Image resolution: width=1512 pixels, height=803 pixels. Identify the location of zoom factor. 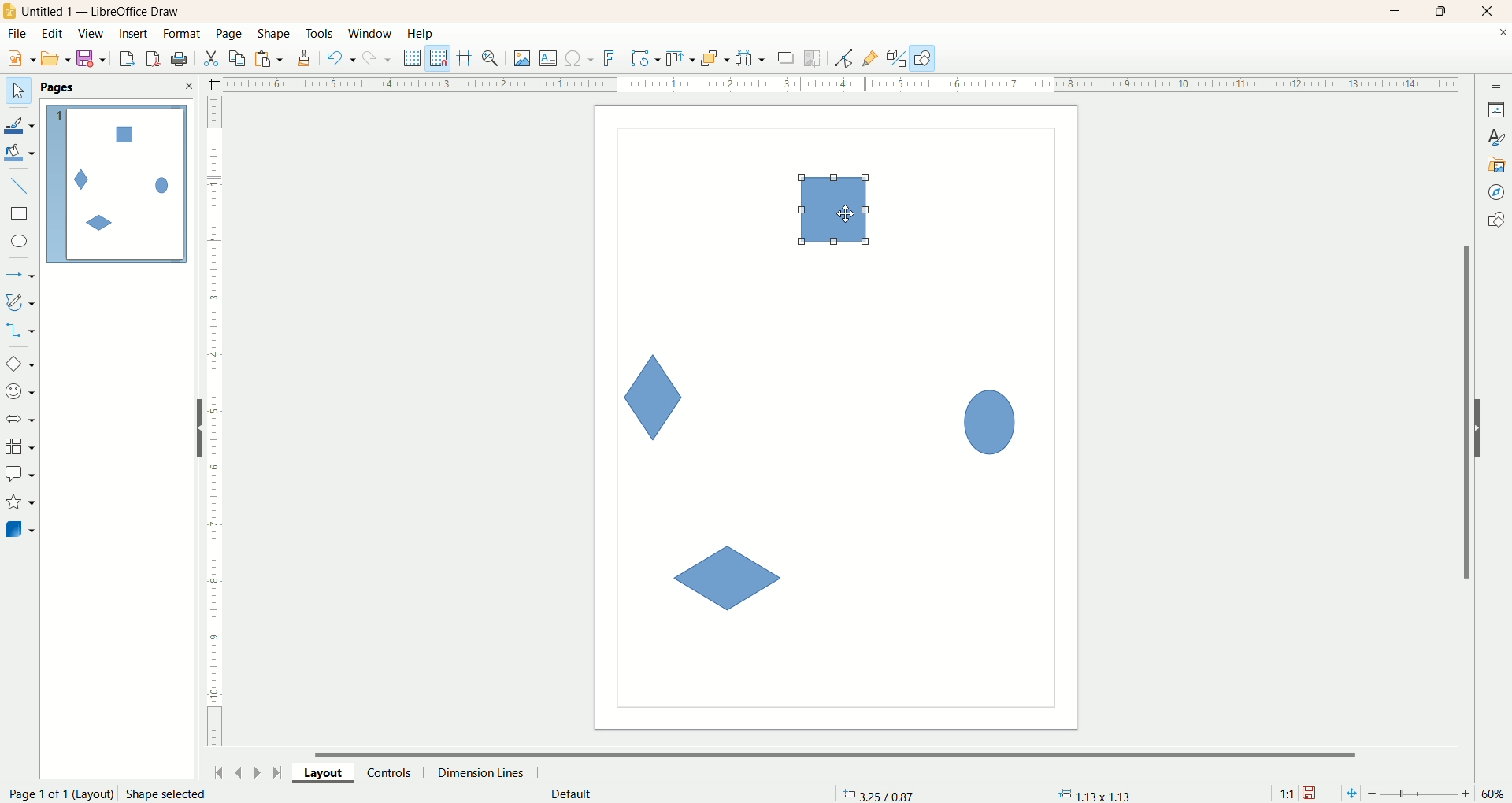
(1421, 794).